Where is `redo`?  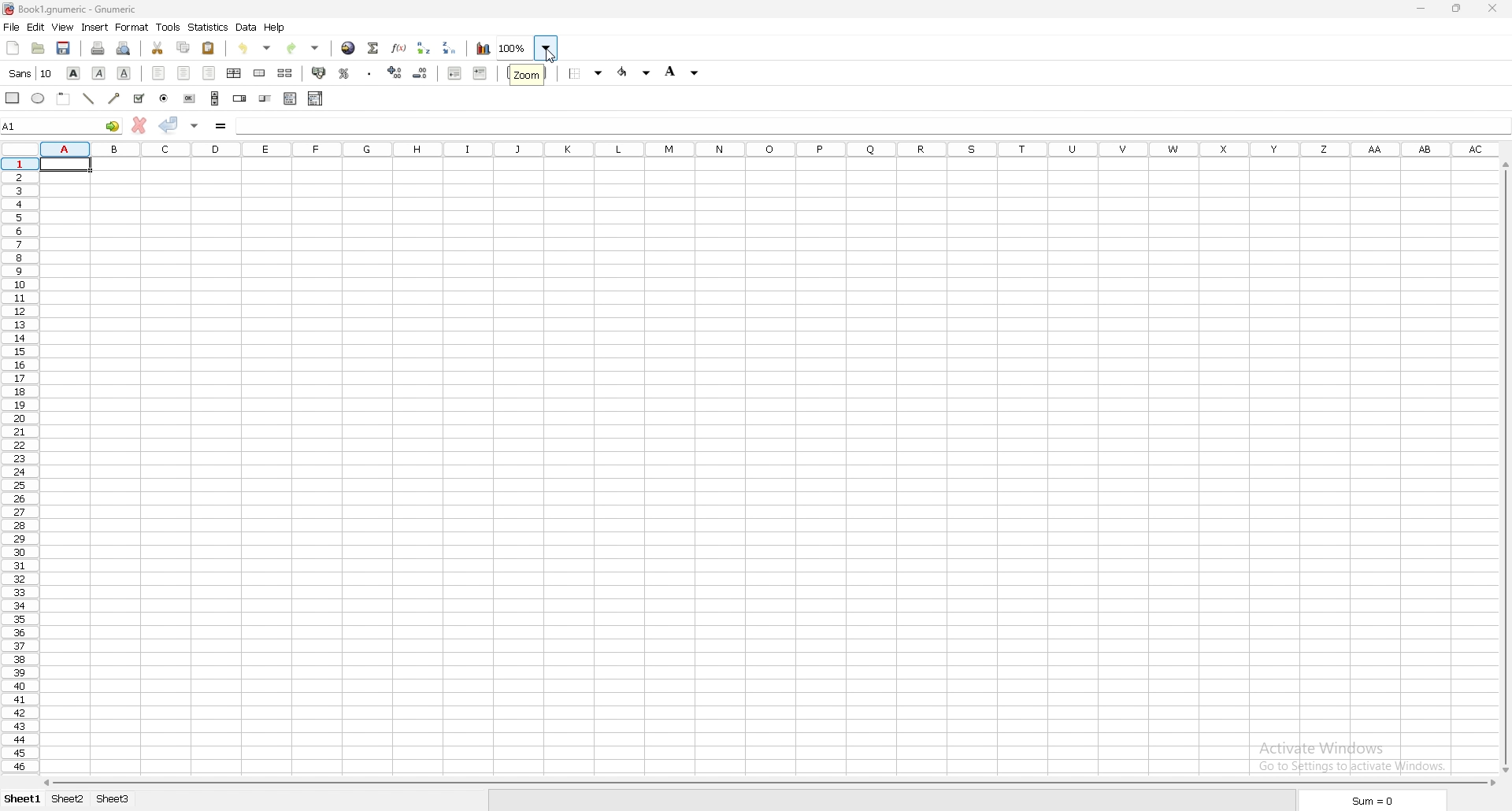 redo is located at coordinates (292, 48).